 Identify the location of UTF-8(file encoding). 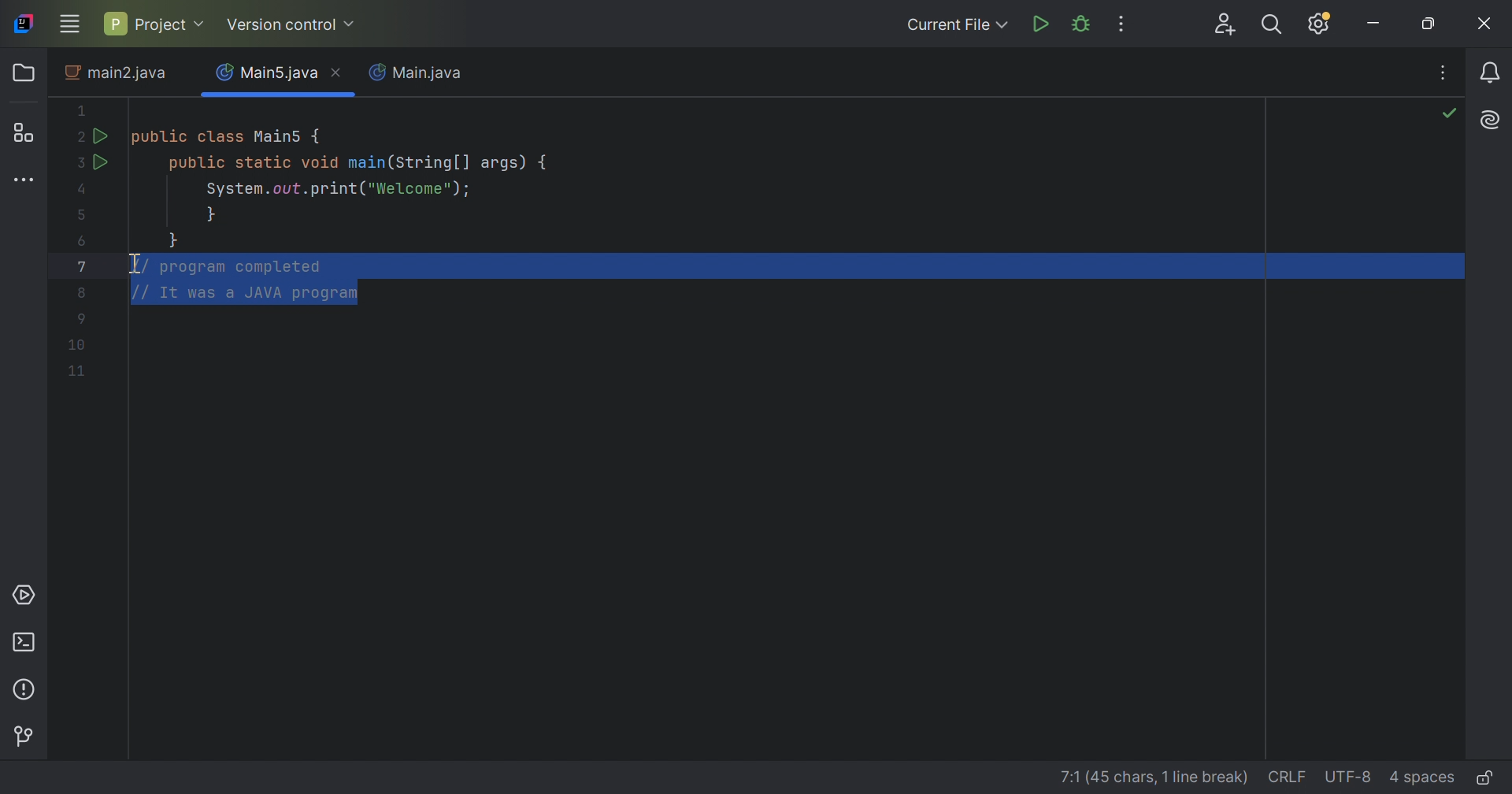
(1347, 777).